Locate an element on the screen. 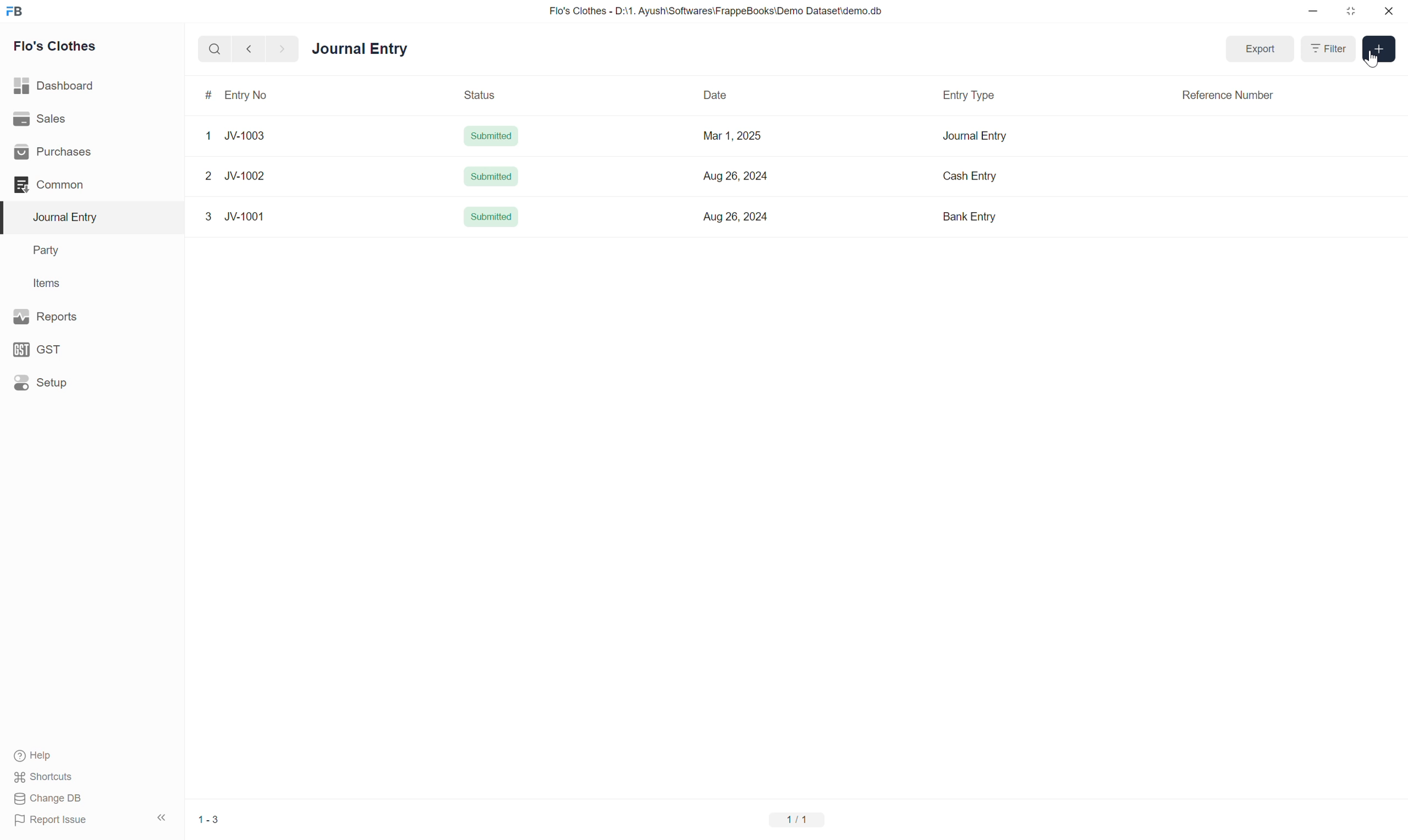 The image size is (1408, 840). resize is located at coordinates (1349, 11).